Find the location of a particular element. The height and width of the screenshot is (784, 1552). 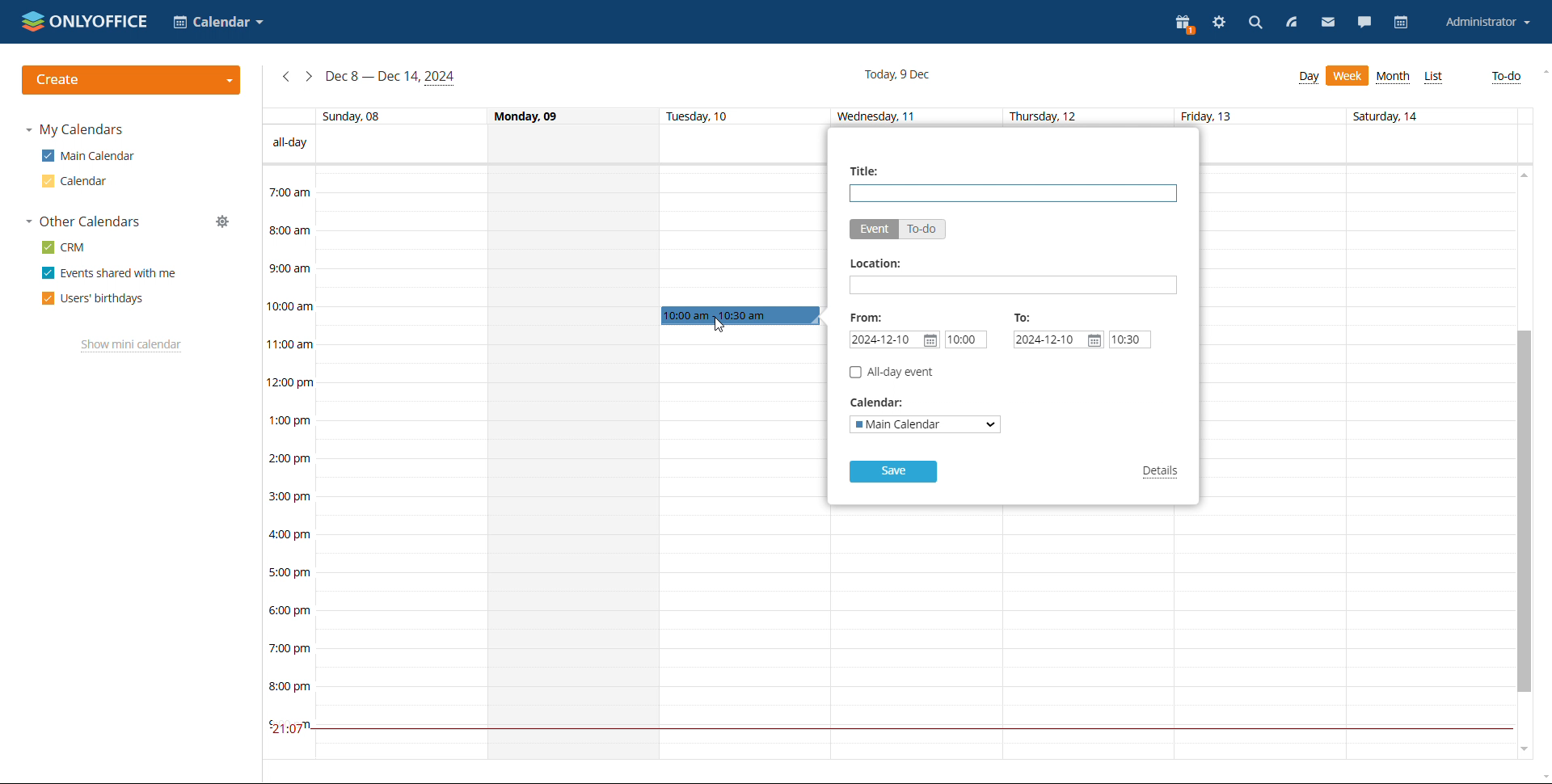

next week is located at coordinates (309, 77).